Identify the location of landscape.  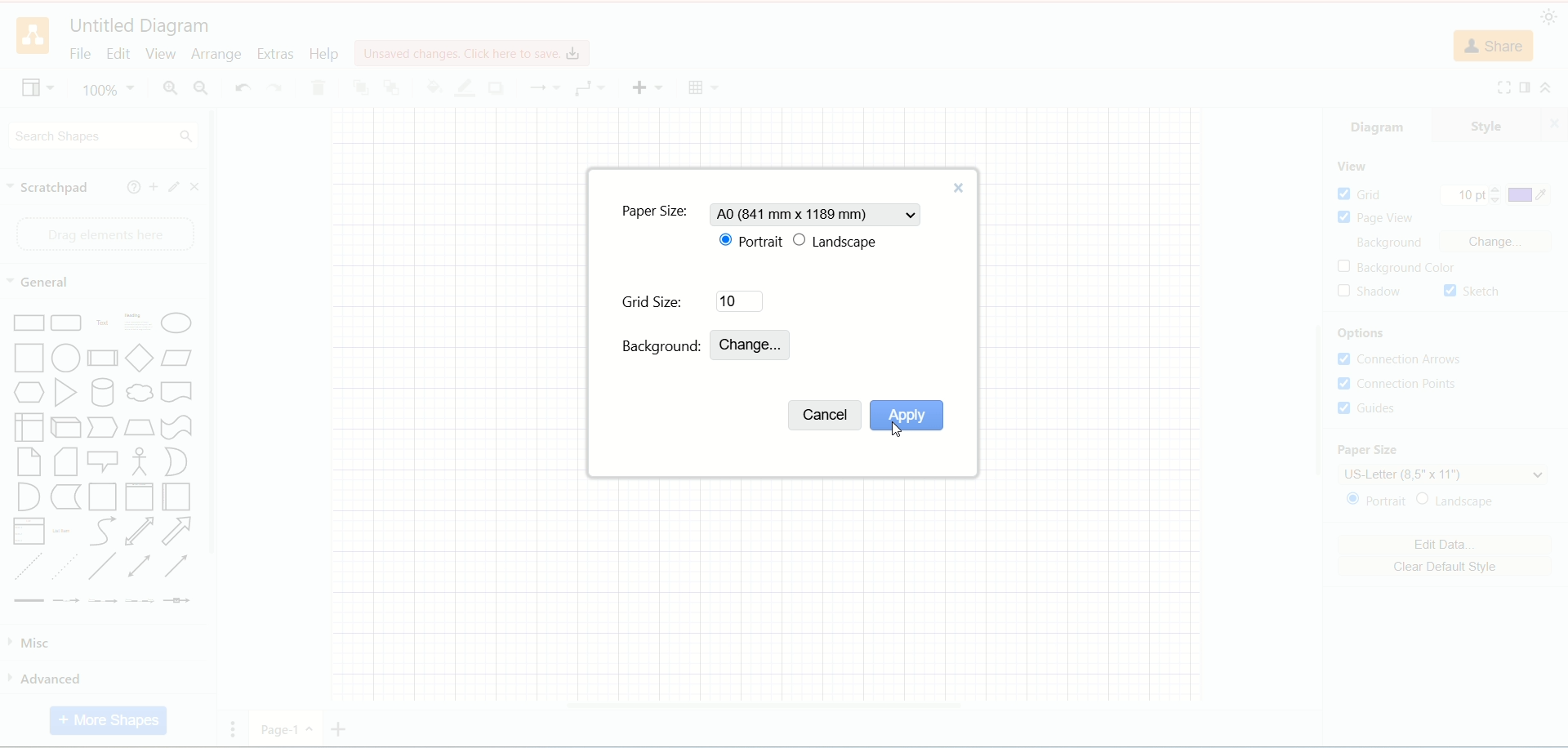
(837, 242).